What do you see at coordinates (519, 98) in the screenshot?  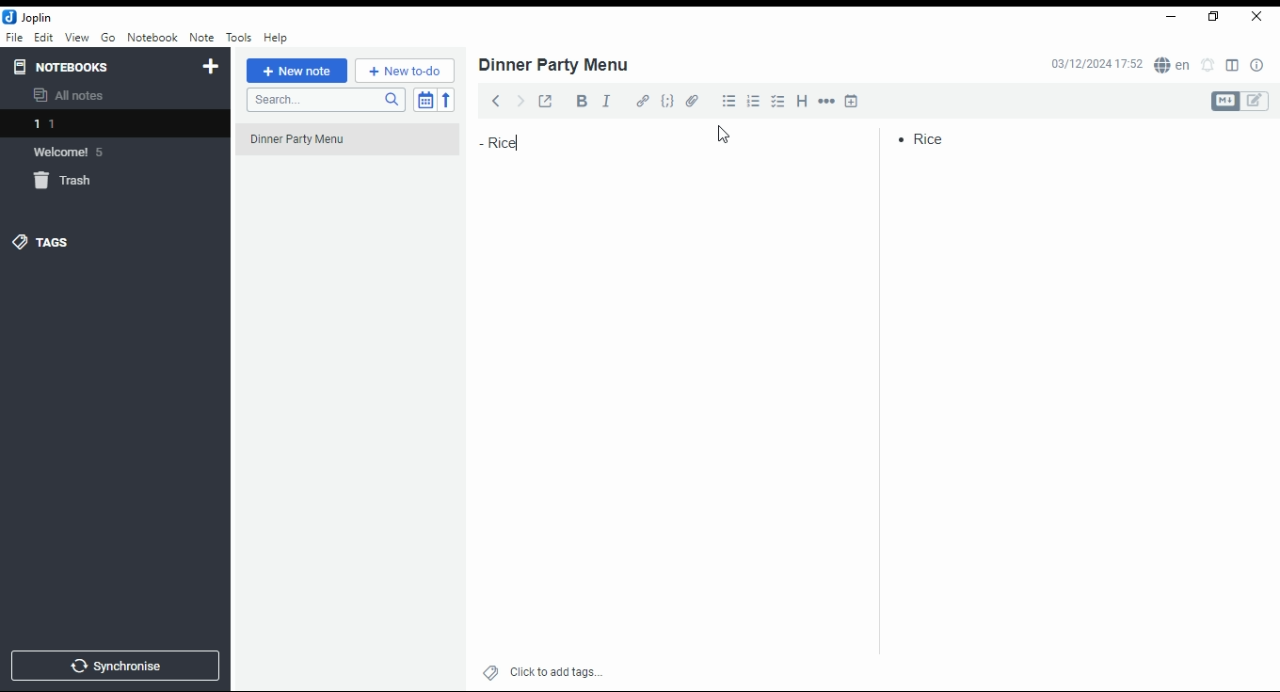 I see `forward` at bounding box center [519, 98].